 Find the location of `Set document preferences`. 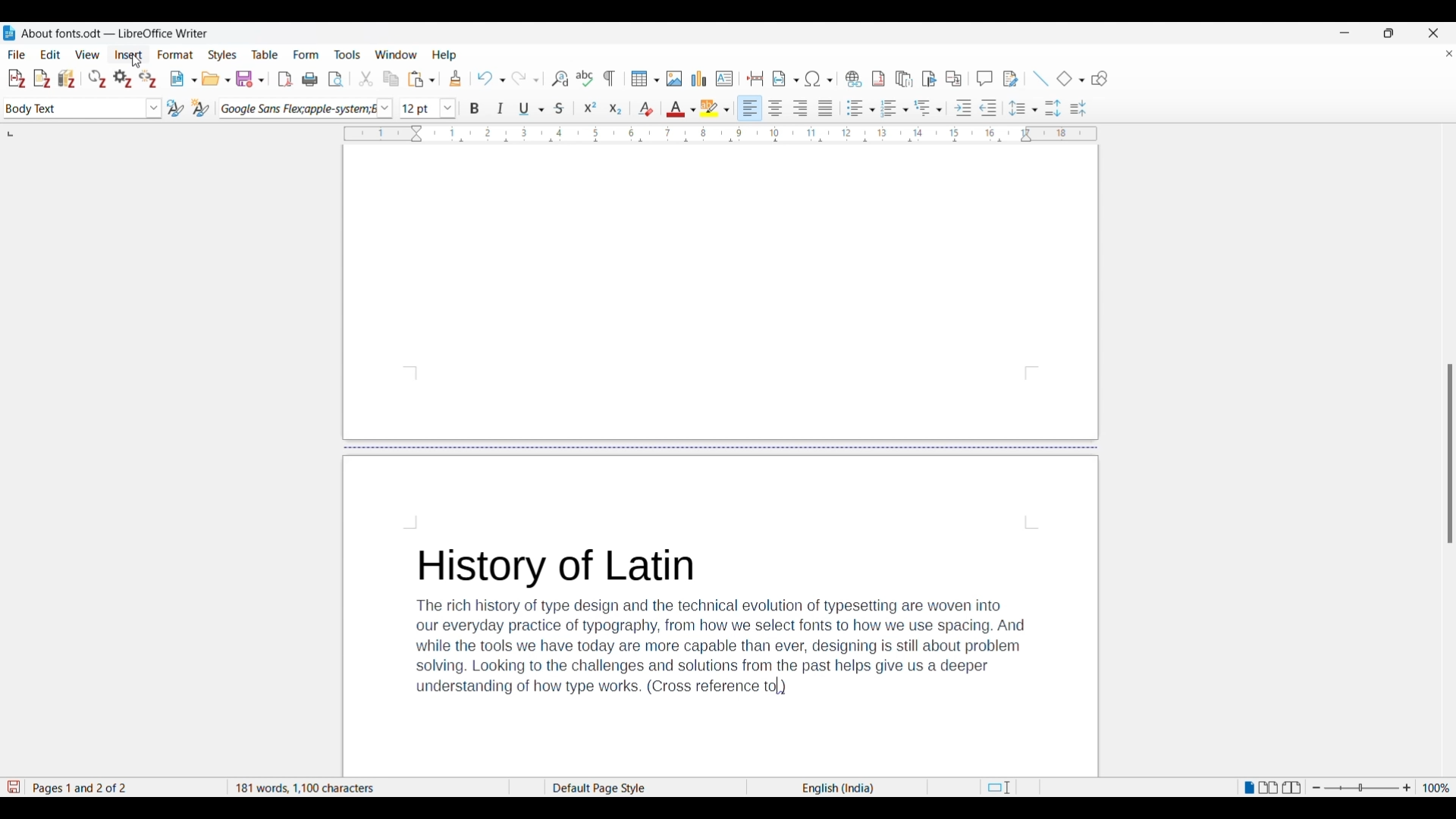

Set document preferences is located at coordinates (123, 79).